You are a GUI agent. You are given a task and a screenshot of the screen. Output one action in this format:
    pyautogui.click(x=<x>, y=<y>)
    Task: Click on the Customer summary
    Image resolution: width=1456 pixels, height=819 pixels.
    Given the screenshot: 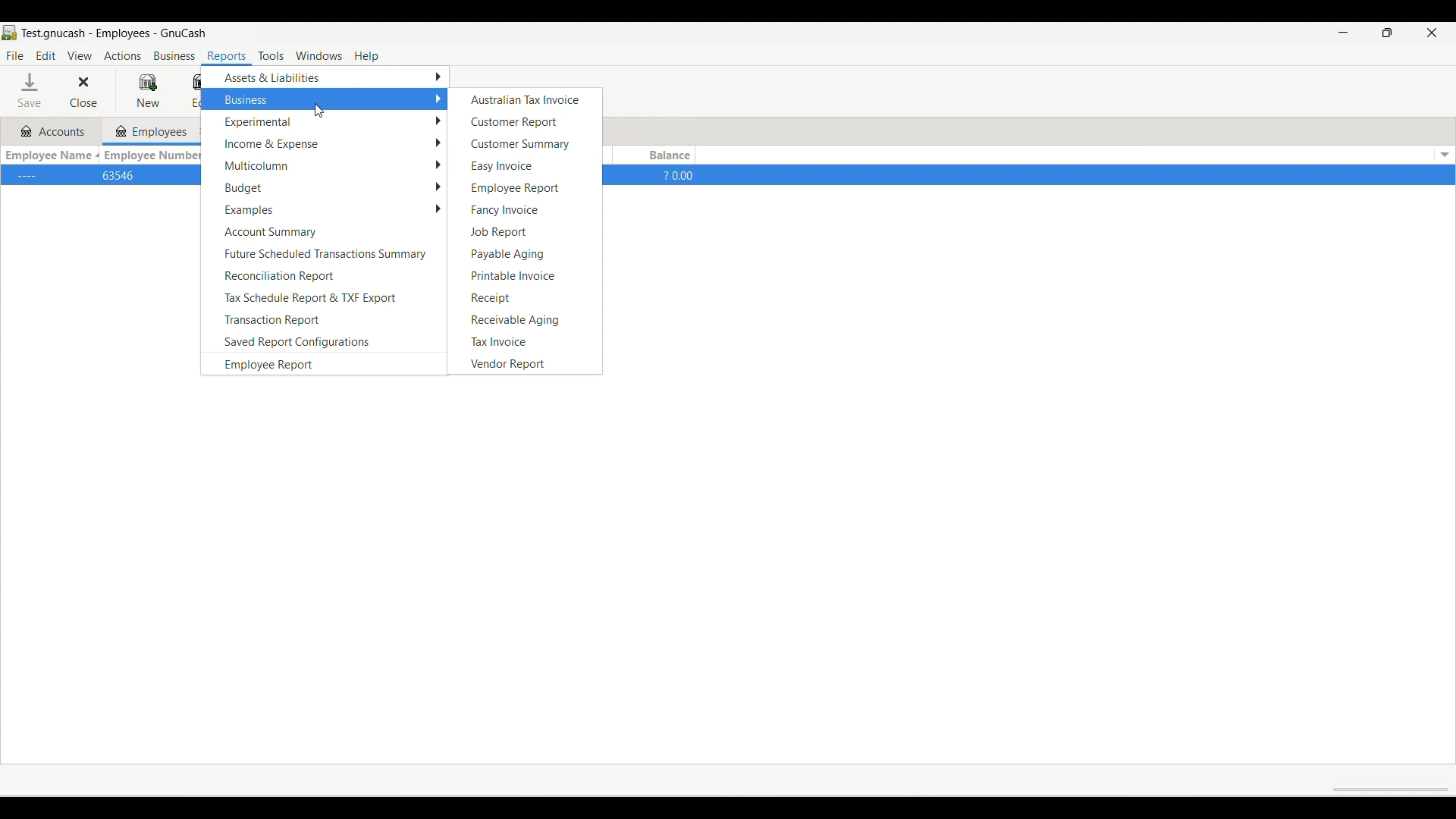 What is the action you would take?
    pyautogui.click(x=525, y=143)
    